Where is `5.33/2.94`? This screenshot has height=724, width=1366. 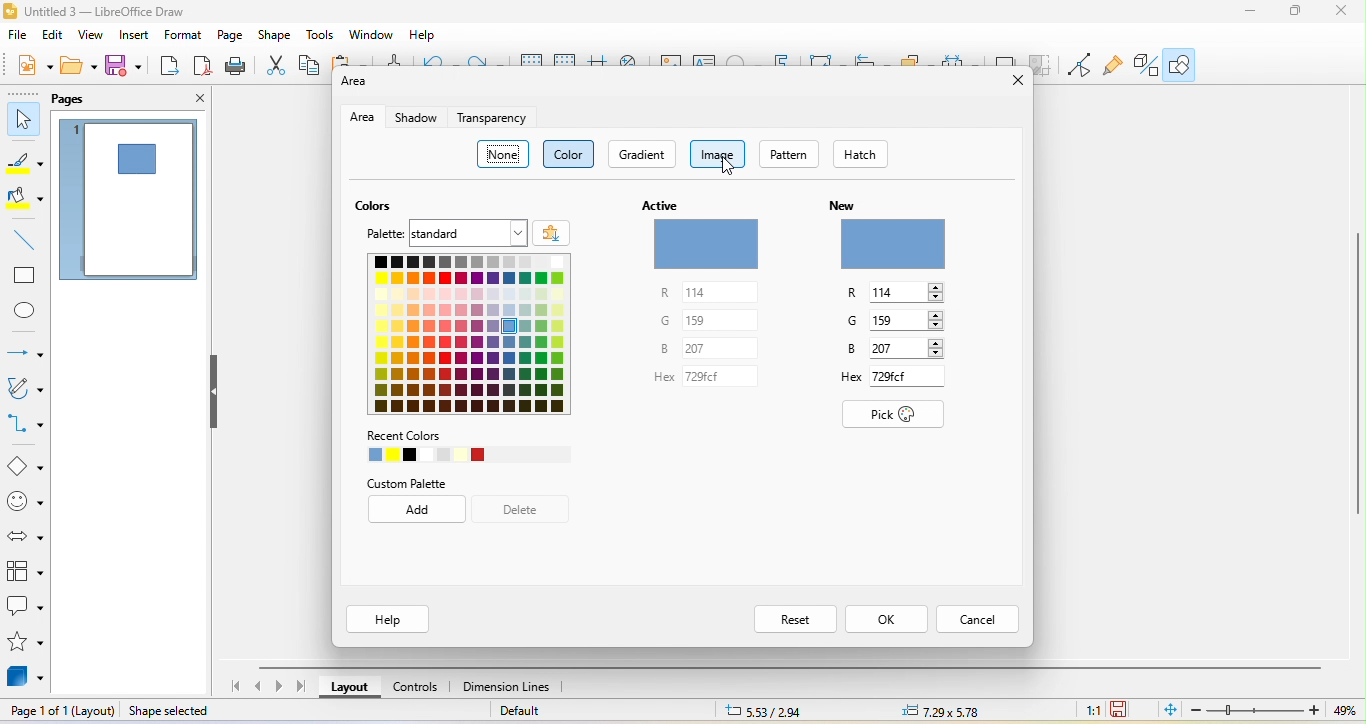 5.33/2.94 is located at coordinates (763, 711).